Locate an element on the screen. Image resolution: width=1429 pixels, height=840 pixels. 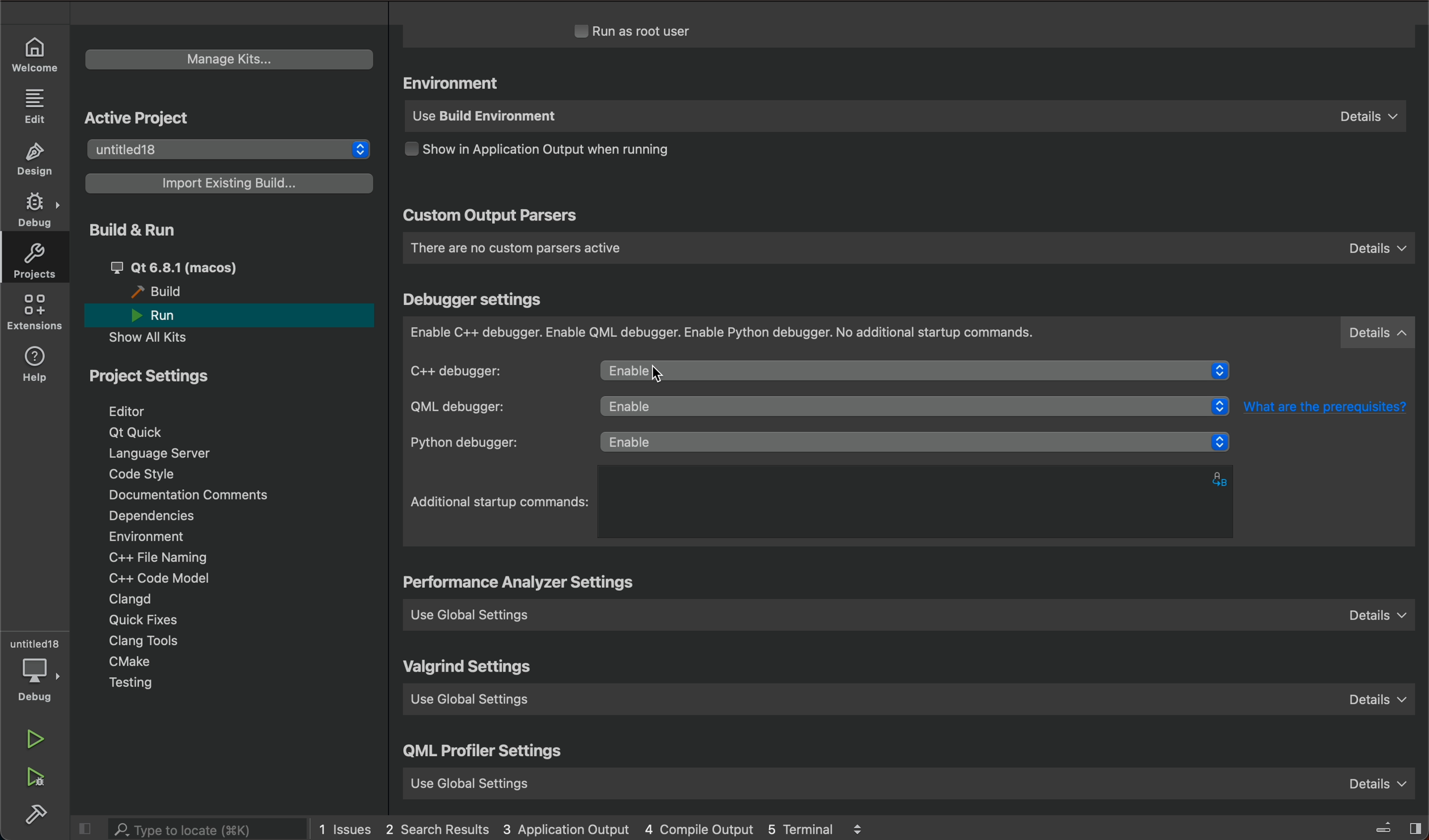
use global  is located at coordinates (907, 780).